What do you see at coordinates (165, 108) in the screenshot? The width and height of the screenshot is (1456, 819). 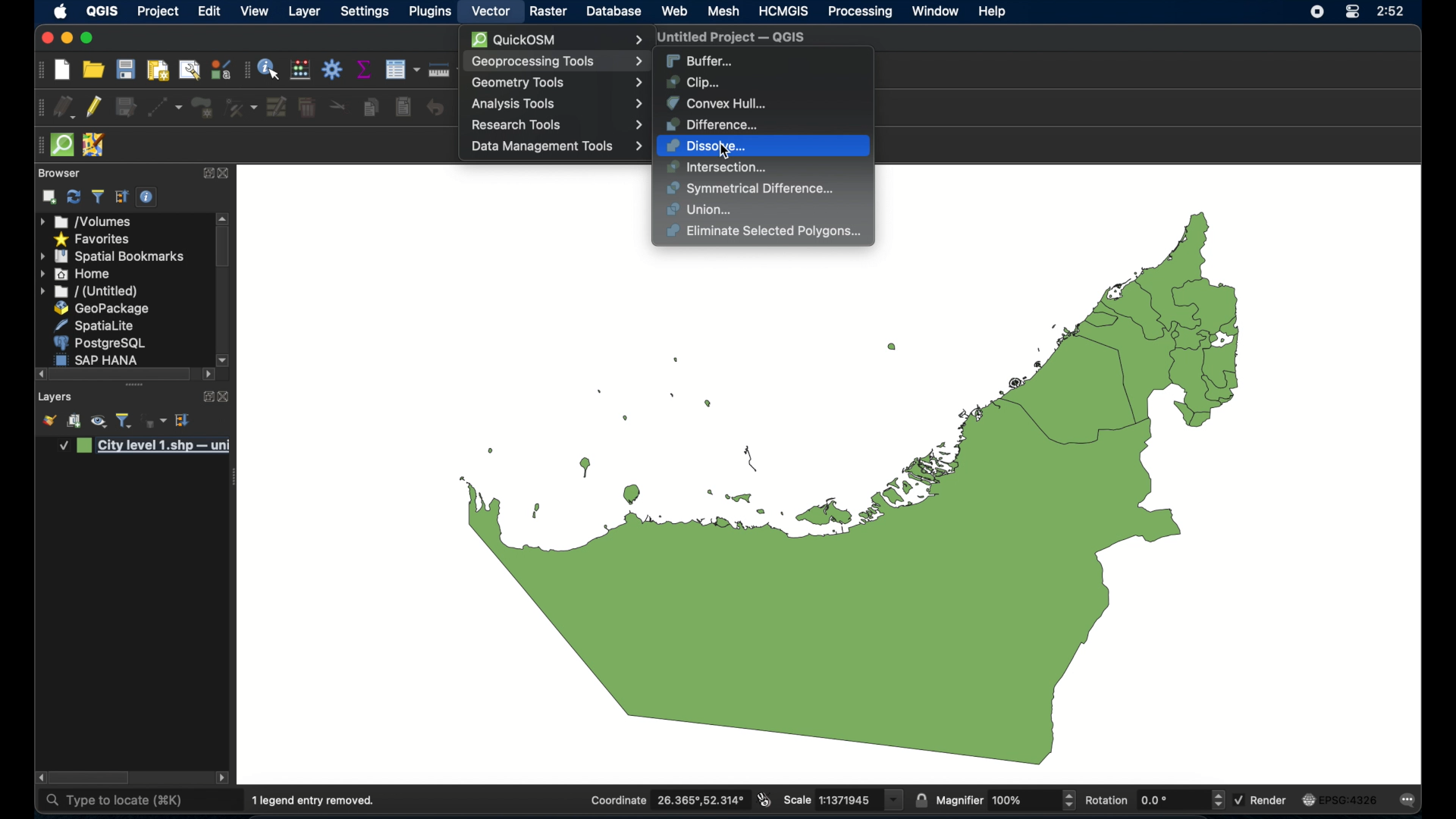 I see `digitize with segment` at bounding box center [165, 108].